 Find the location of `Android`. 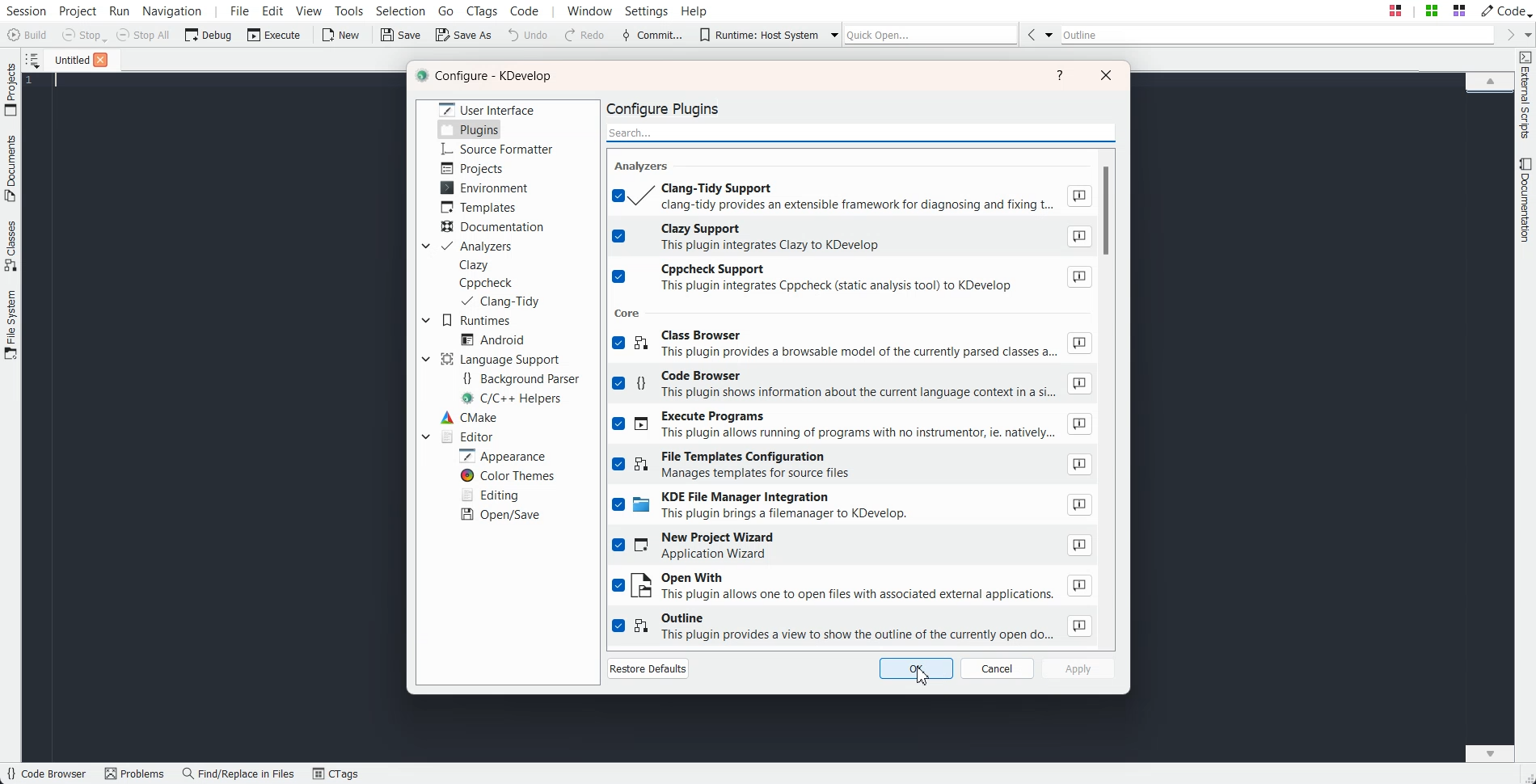

Android is located at coordinates (492, 339).